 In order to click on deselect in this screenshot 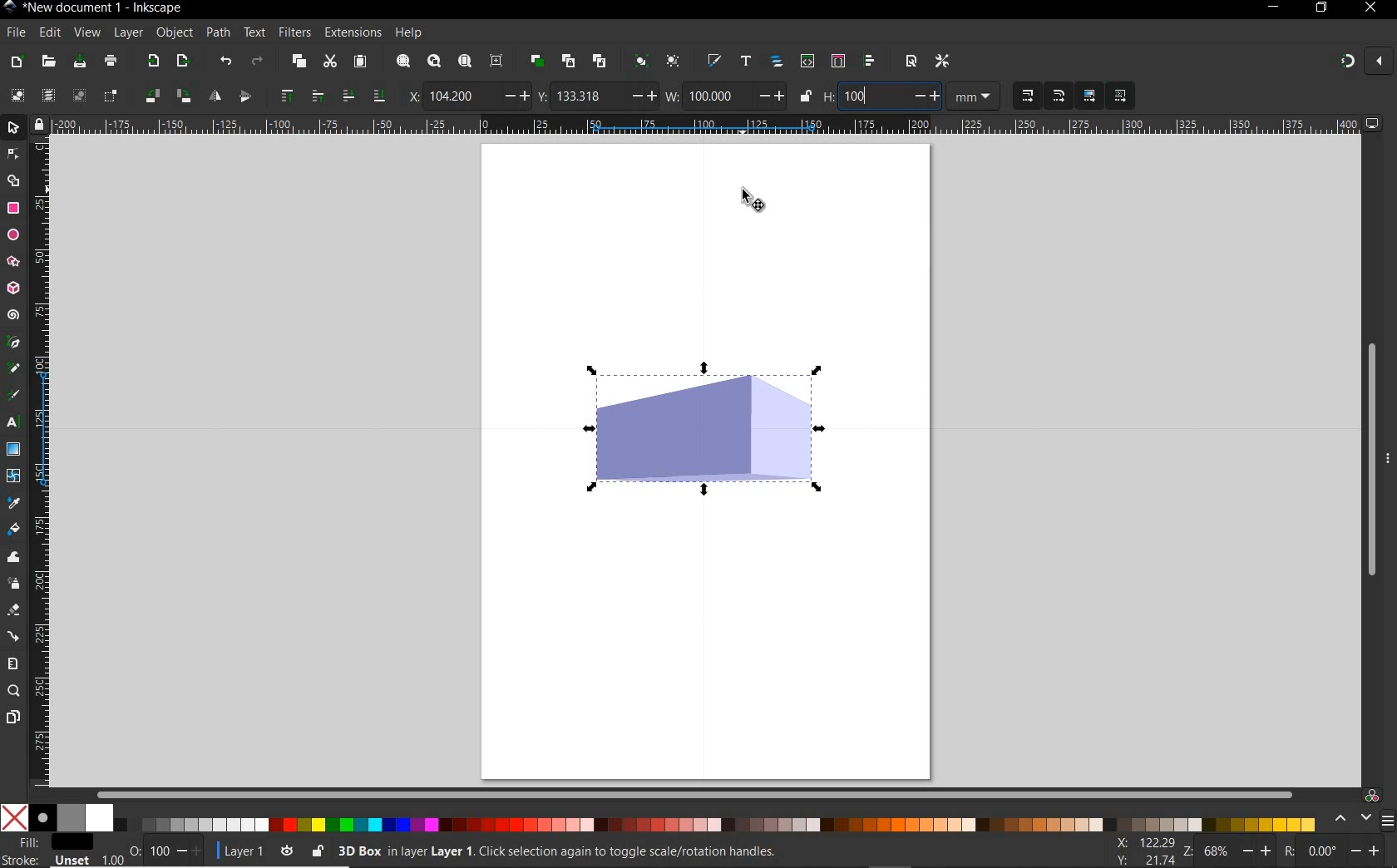, I will do `click(78, 96)`.